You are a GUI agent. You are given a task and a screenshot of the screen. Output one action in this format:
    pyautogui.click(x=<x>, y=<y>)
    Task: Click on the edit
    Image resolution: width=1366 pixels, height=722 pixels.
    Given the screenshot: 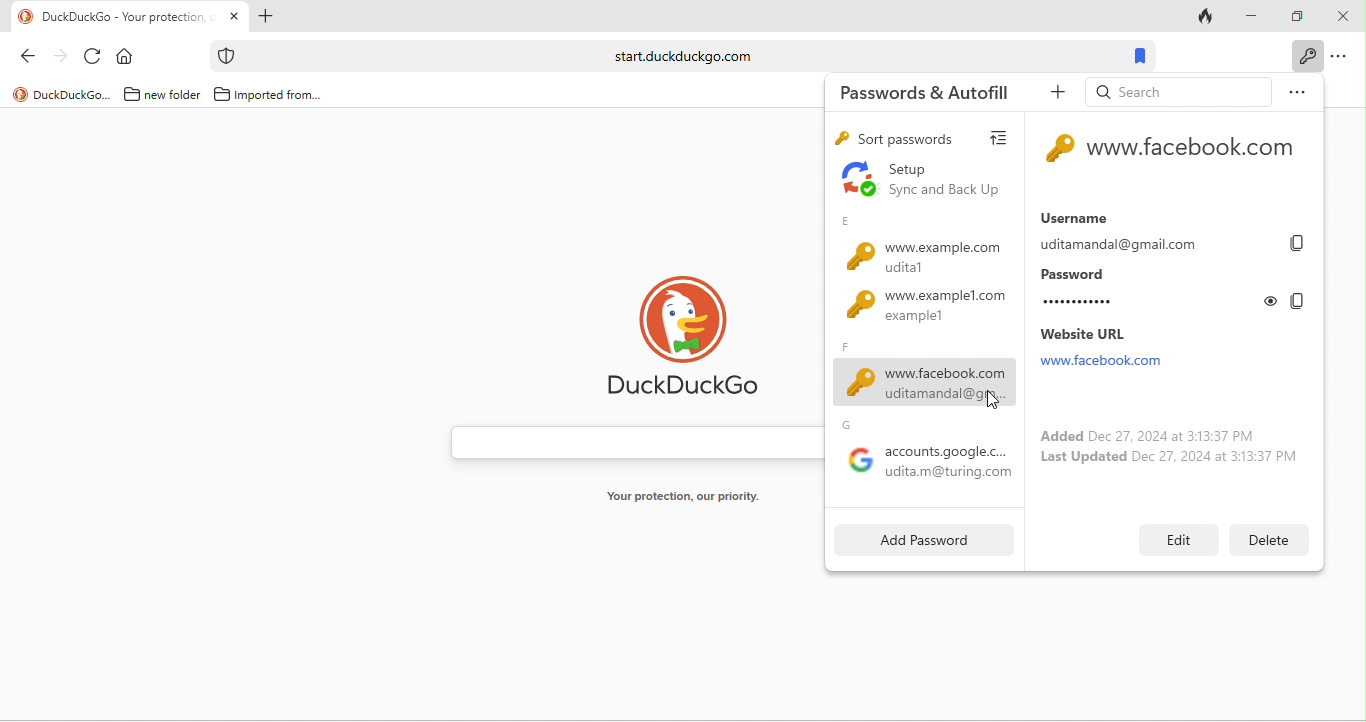 What is the action you would take?
    pyautogui.click(x=1179, y=538)
    